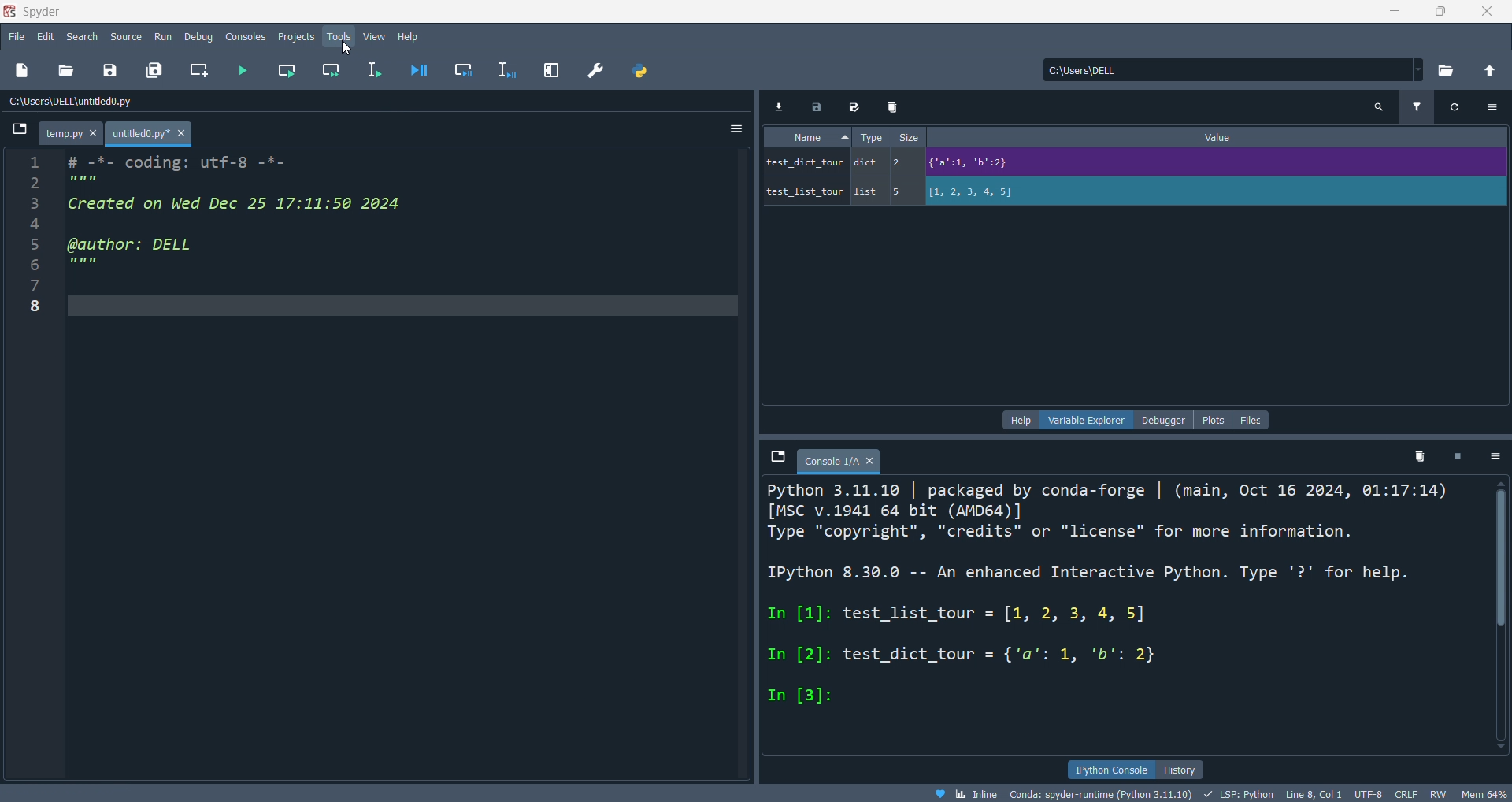 This screenshot has height=802, width=1512. I want to click on LSP Python, so click(1236, 793).